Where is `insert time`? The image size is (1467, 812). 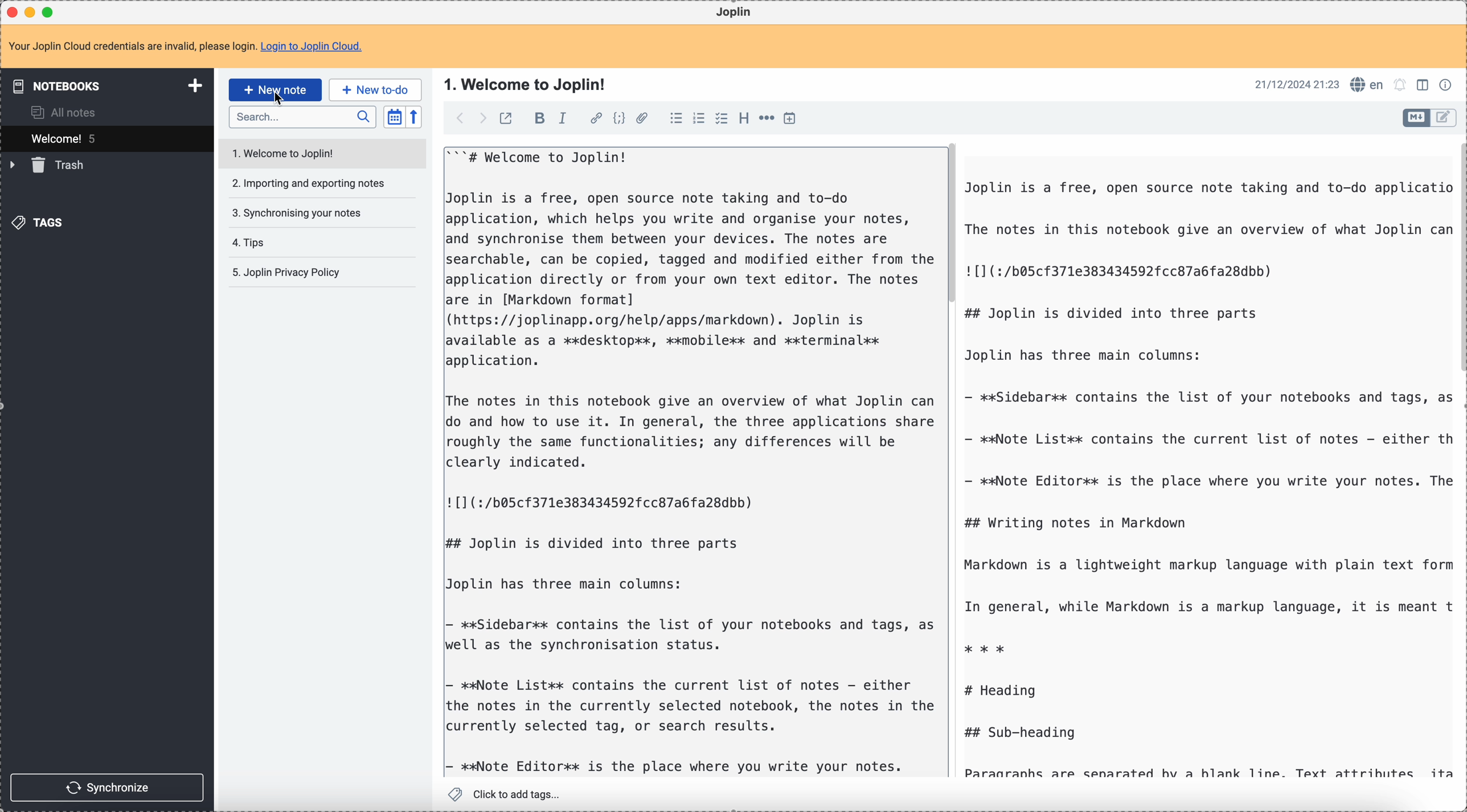 insert time is located at coordinates (793, 118).